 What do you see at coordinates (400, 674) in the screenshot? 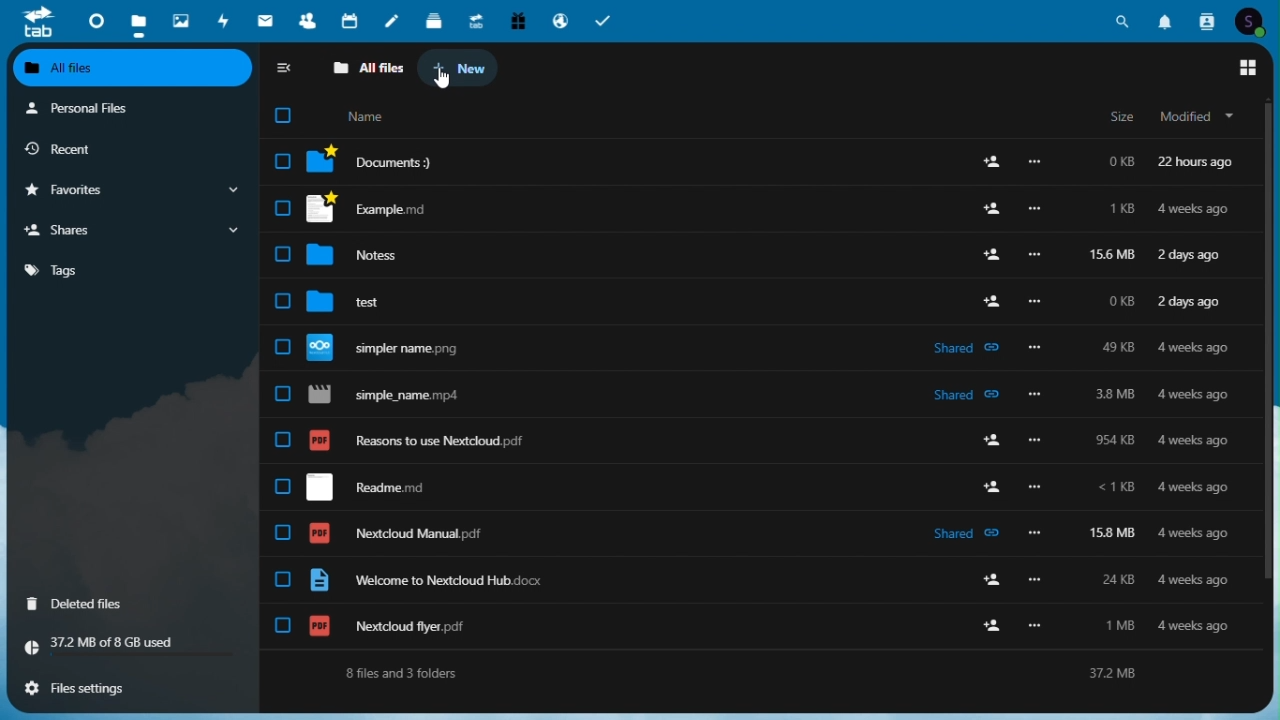
I see `8 files and 3 folders` at bounding box center [400, 674].